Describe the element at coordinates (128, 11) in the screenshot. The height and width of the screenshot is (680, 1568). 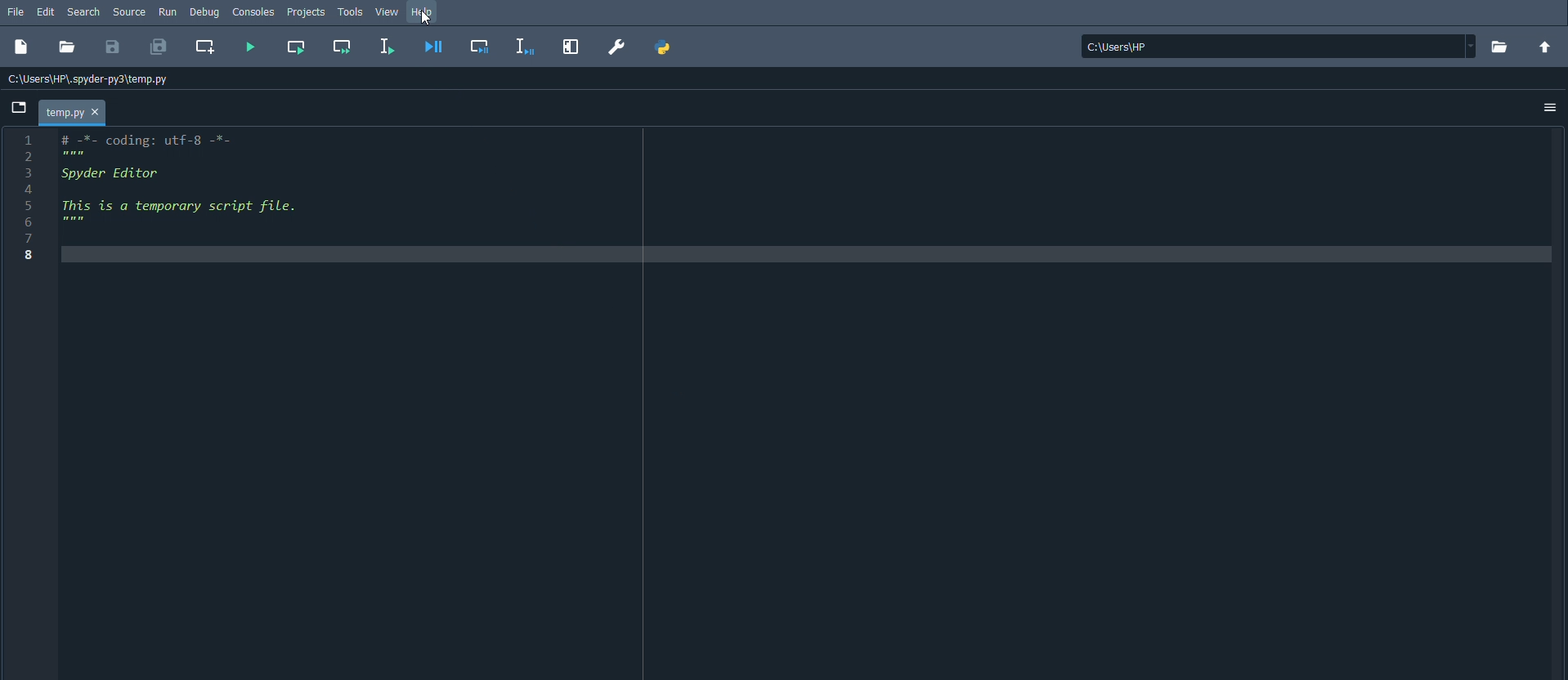
I see `Source` at that location.